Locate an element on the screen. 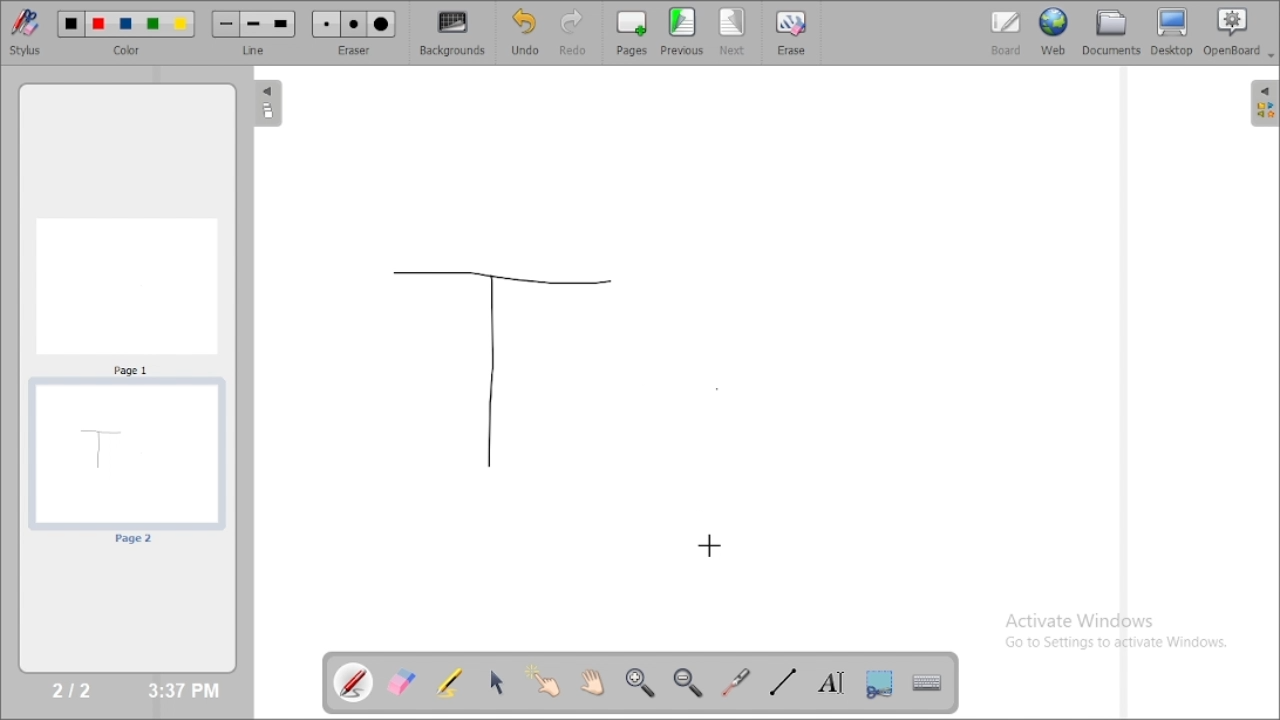 The height and width of the screenshot is (720, 1280). Large eraser is located at coordinates (382, 25).